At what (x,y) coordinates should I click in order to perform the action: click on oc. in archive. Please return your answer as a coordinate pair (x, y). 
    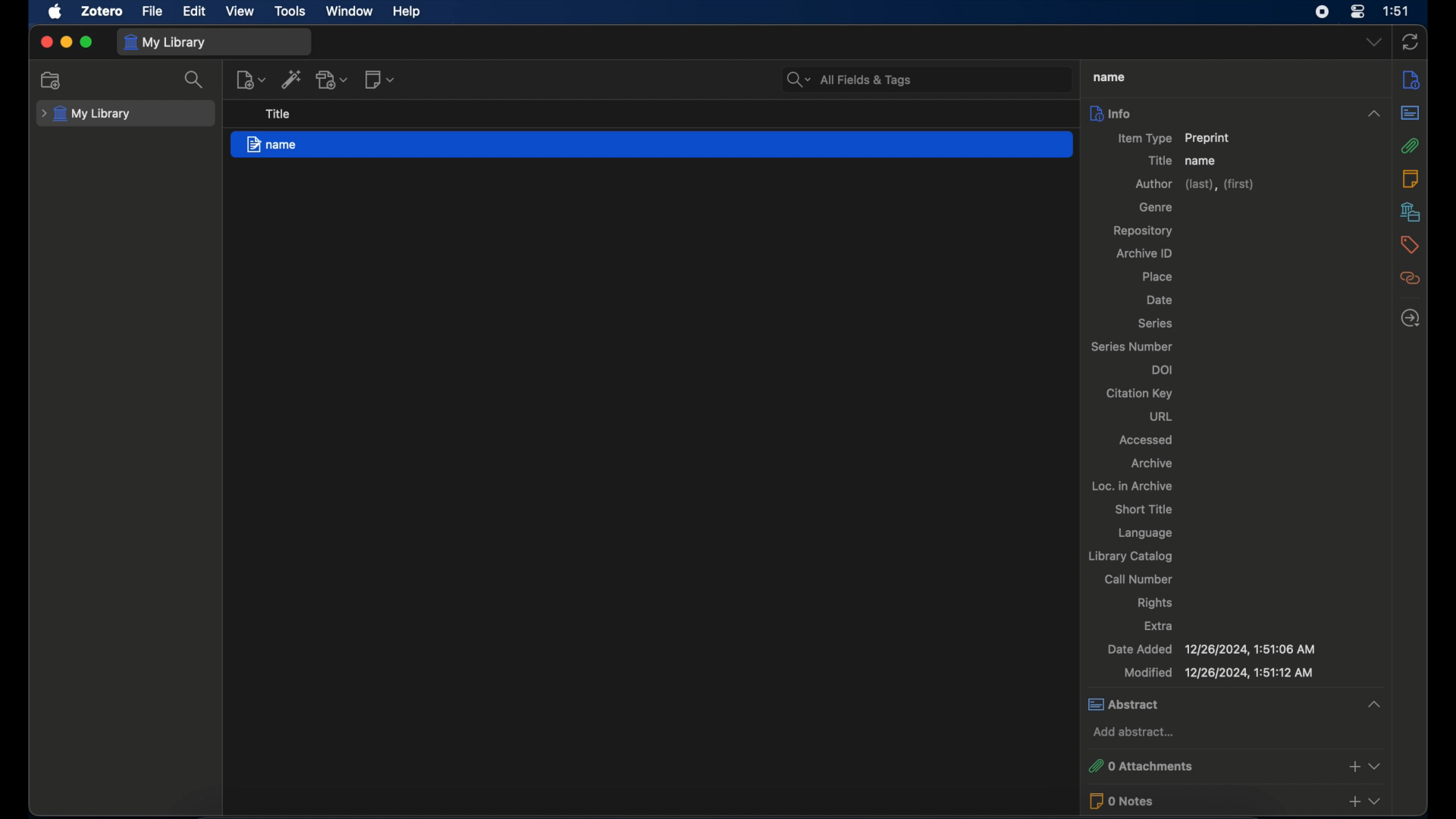
    Looking at the image, I should click on (1130, 485).